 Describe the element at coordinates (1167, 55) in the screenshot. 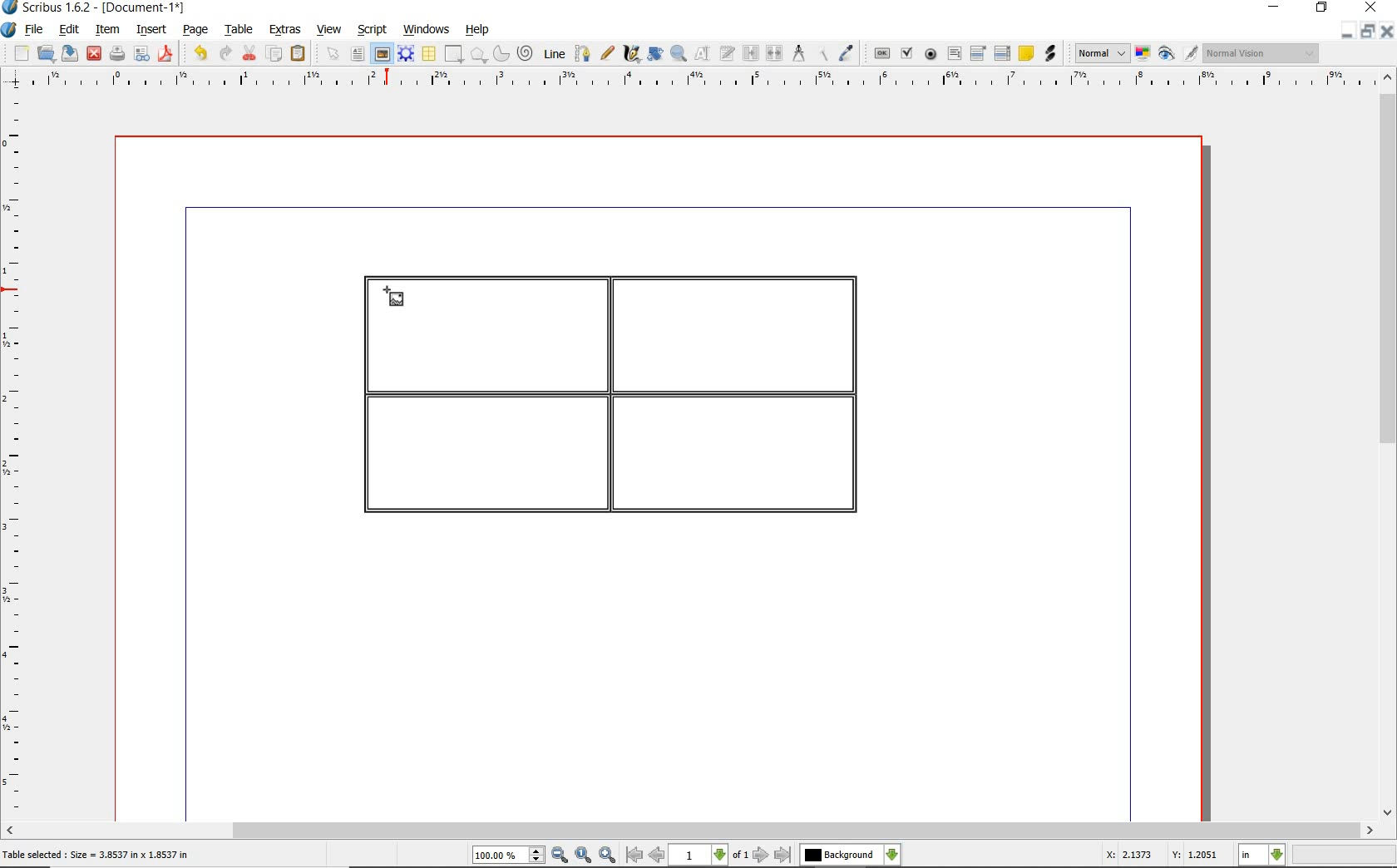

I see `preview mode` at that location.